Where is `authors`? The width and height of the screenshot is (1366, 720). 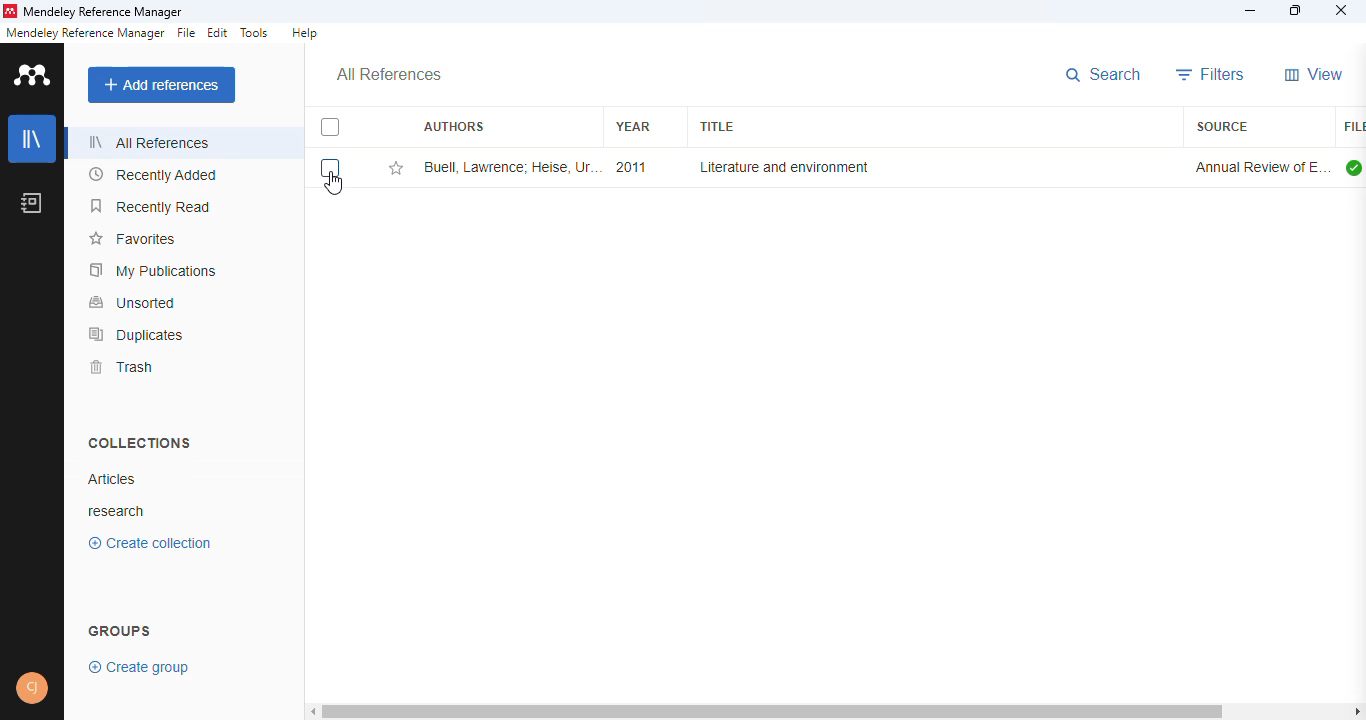 authors is located at coordinates (453, 125).